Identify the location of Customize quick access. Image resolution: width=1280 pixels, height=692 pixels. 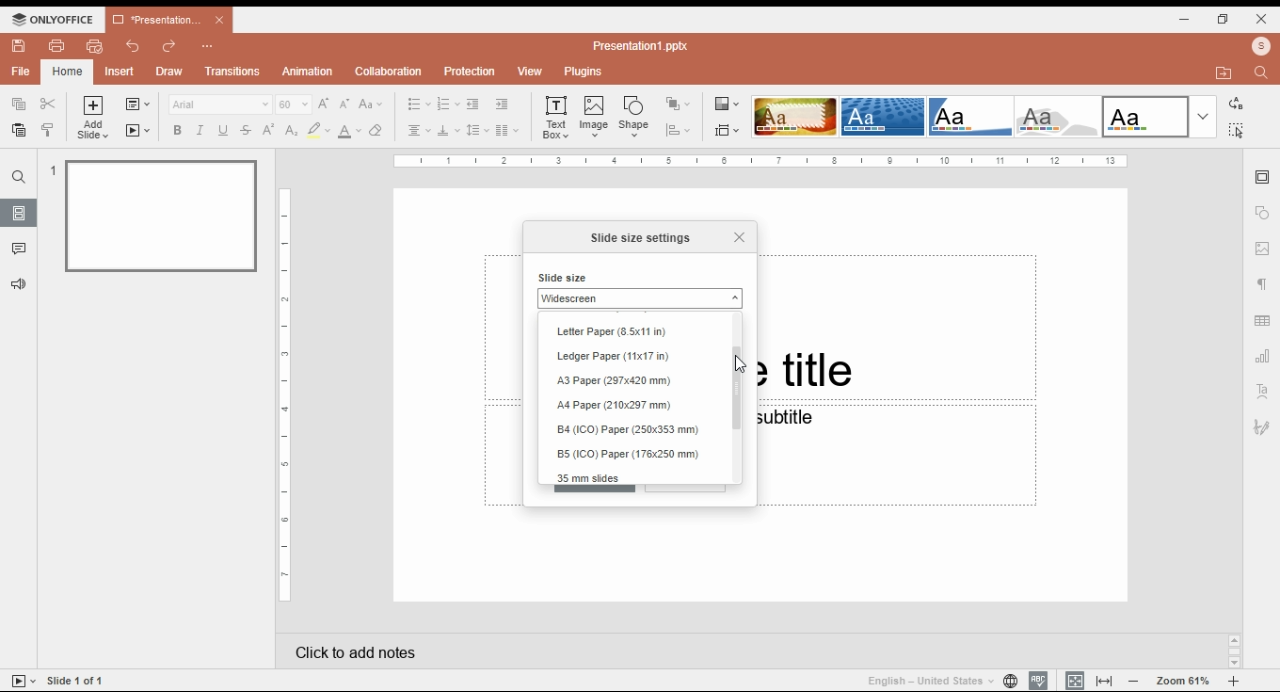
(208, 46).